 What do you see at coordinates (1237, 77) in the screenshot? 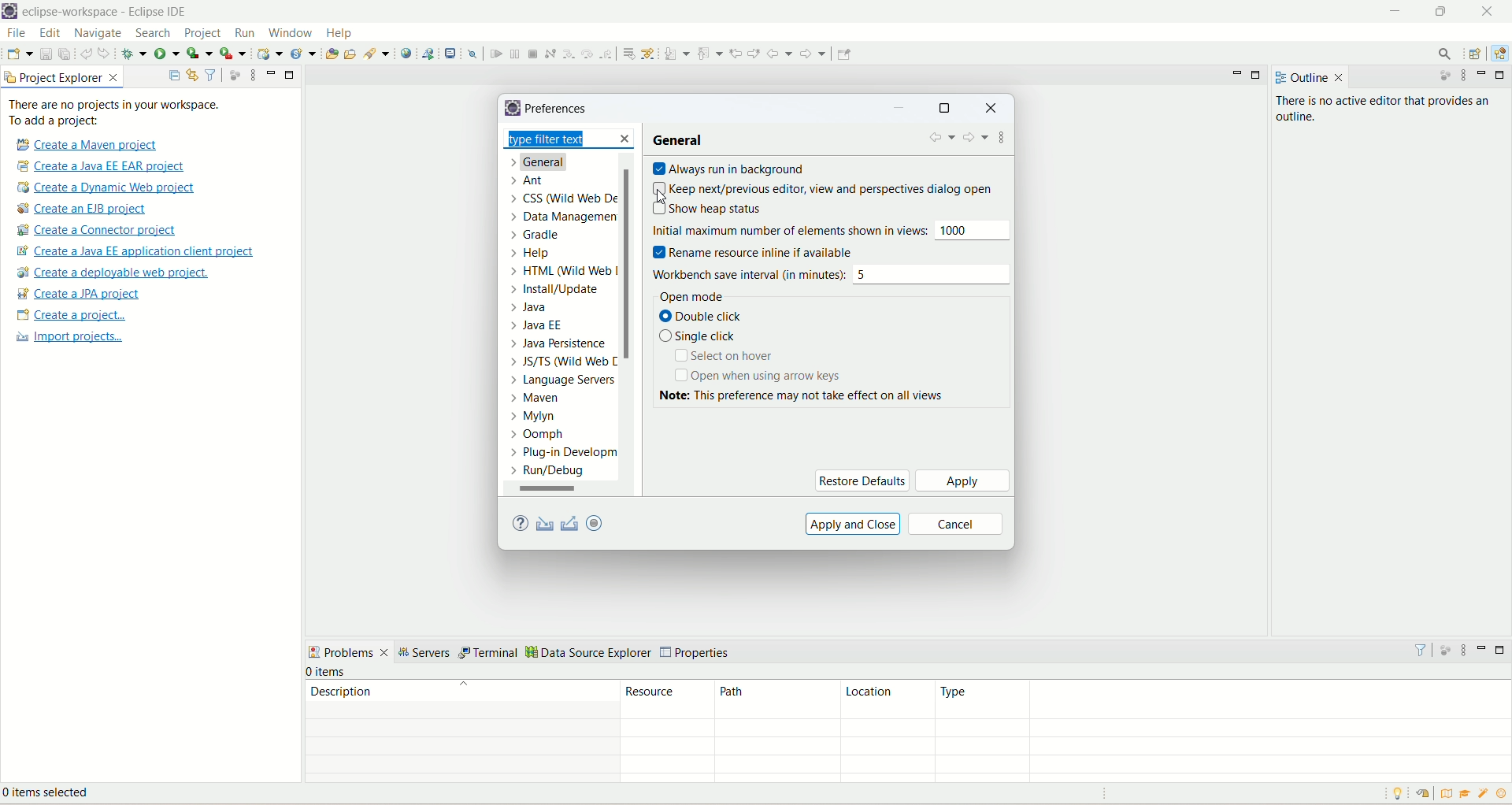
I see `minimize` at bounding box center [1237, 77].